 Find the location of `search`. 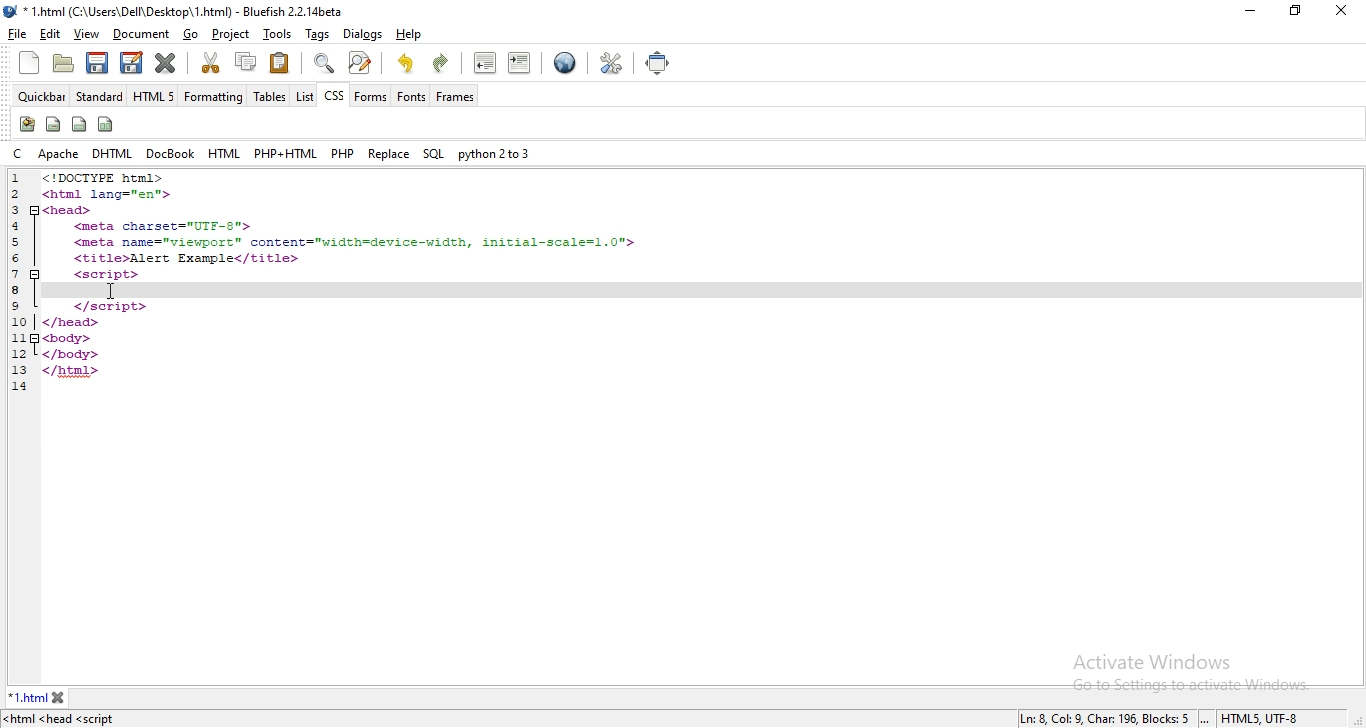

search is located at coordinates (361, 62).